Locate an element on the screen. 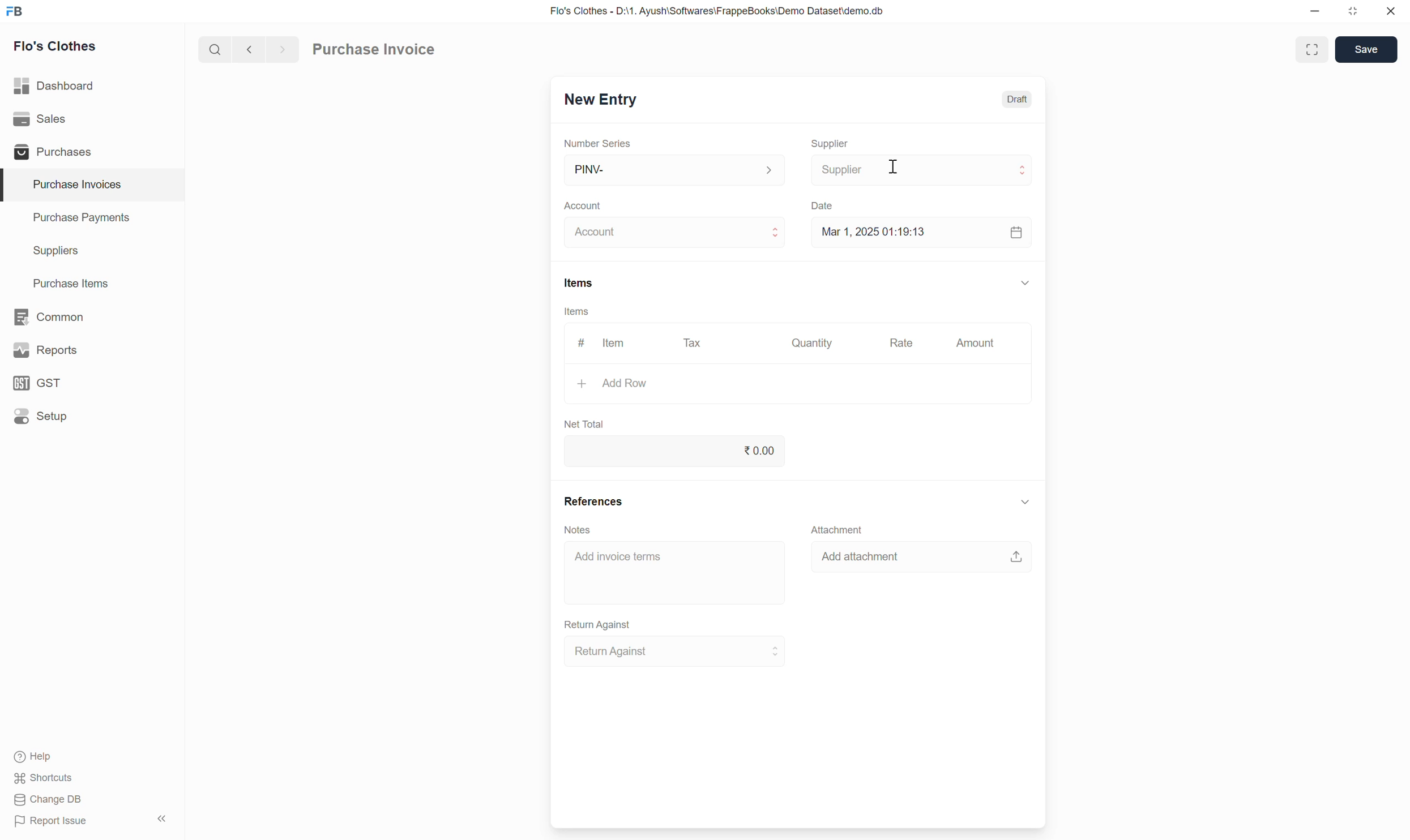 This screenshot has width=1410, height=840. Supplier is located at coordinates (831, 139).